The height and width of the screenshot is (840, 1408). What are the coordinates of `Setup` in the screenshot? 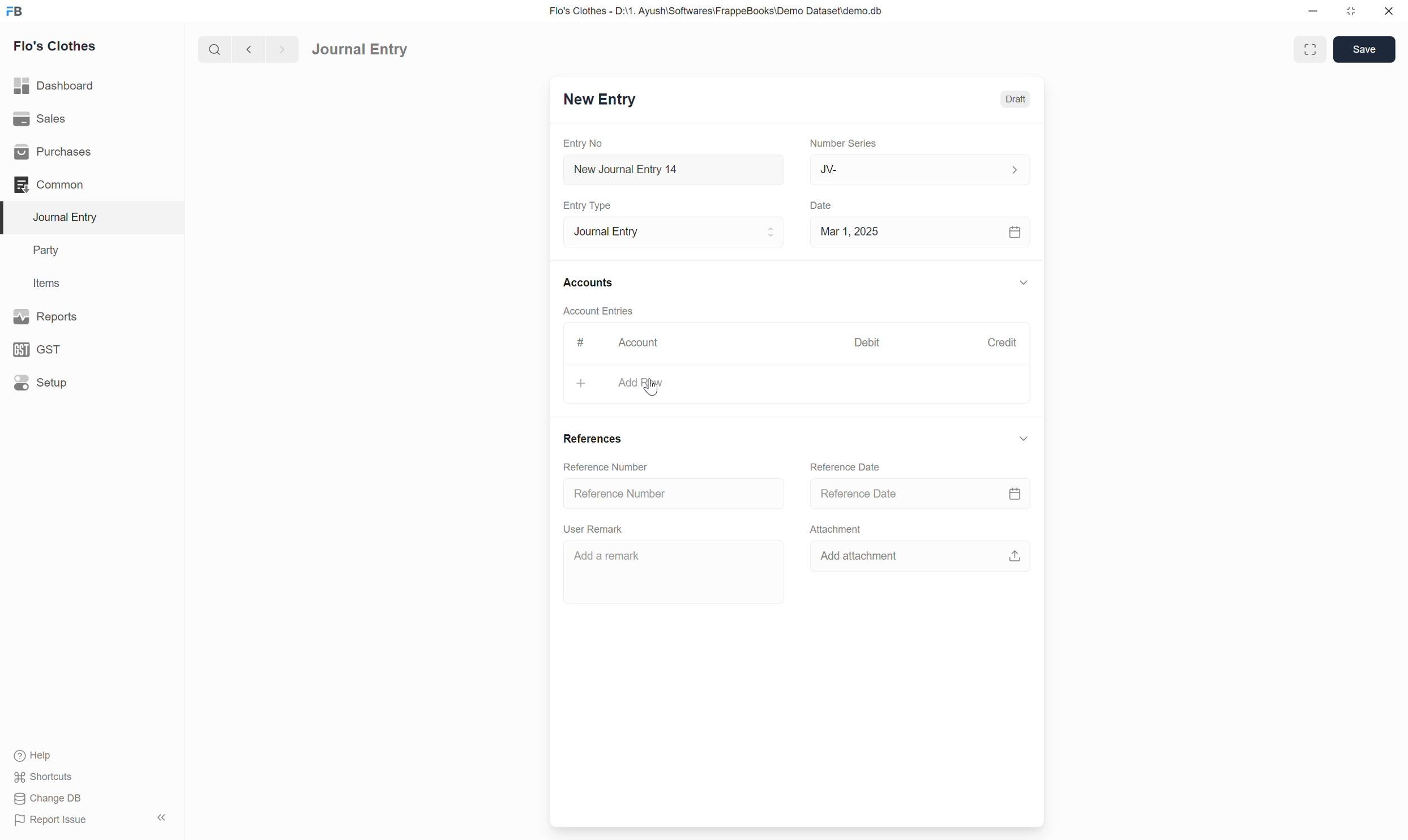 It's located at (41, 382).